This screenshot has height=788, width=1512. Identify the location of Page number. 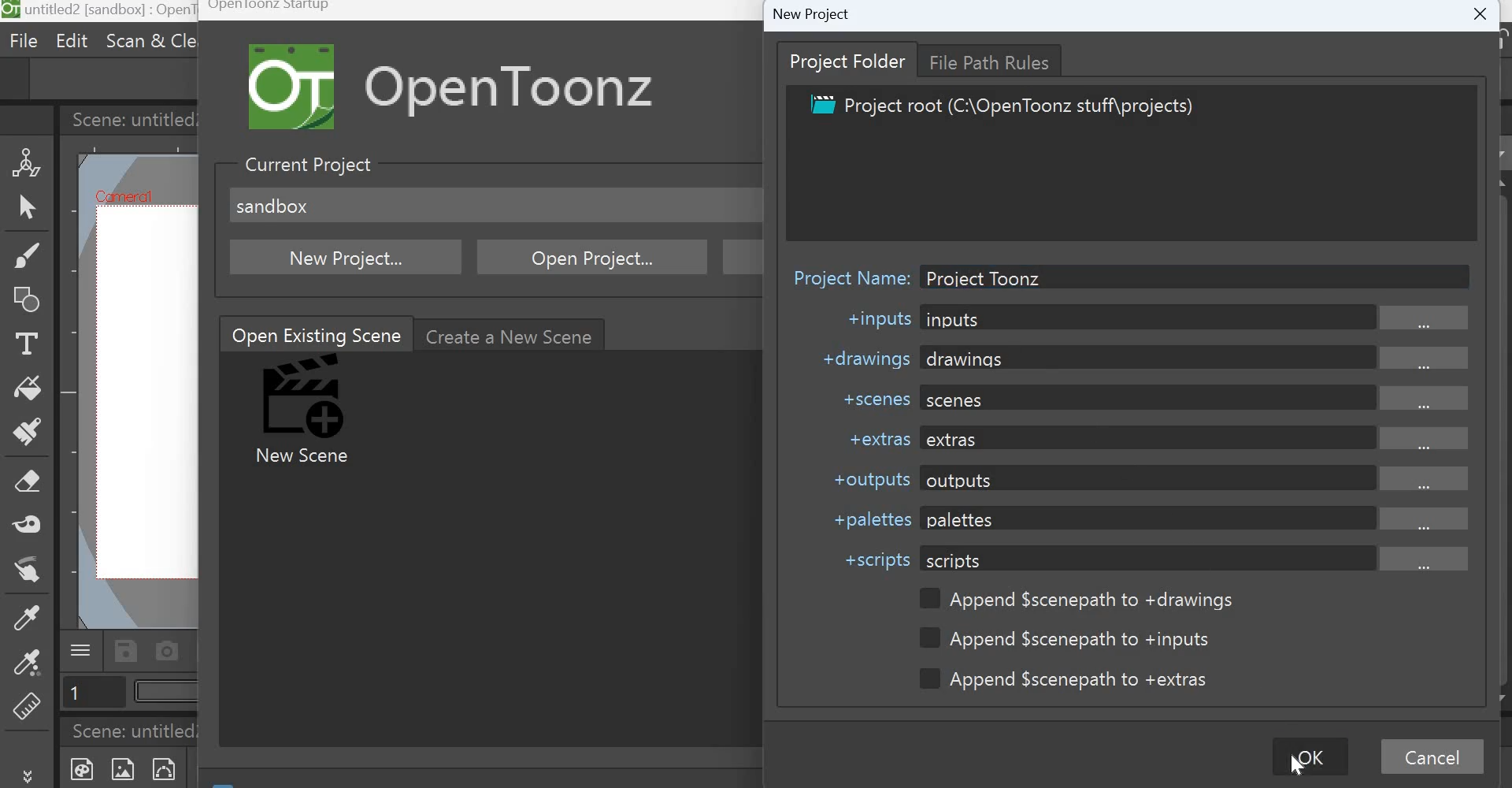
(93, 694).